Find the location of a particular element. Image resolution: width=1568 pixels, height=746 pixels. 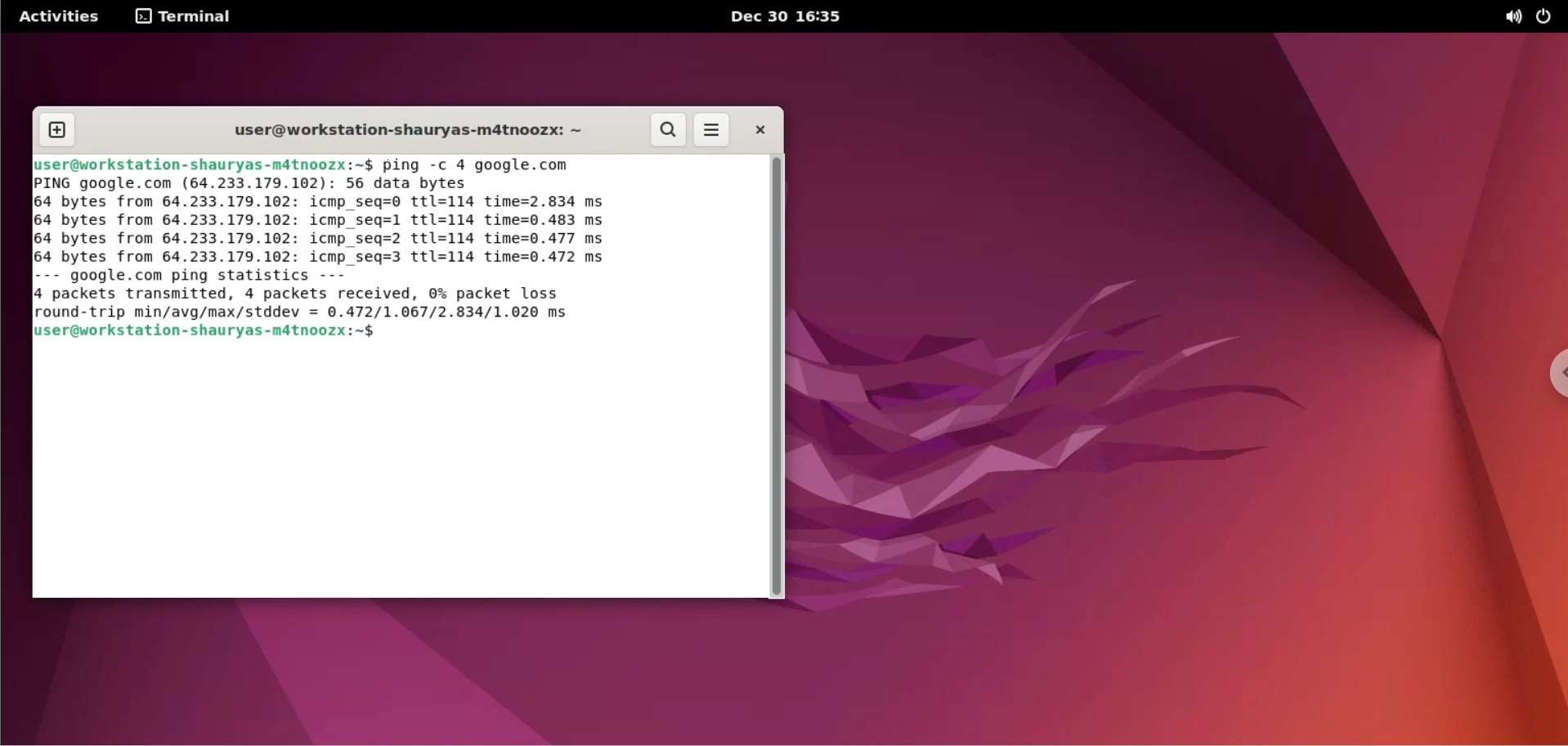

sound options is located at coordinates (1514, 17).